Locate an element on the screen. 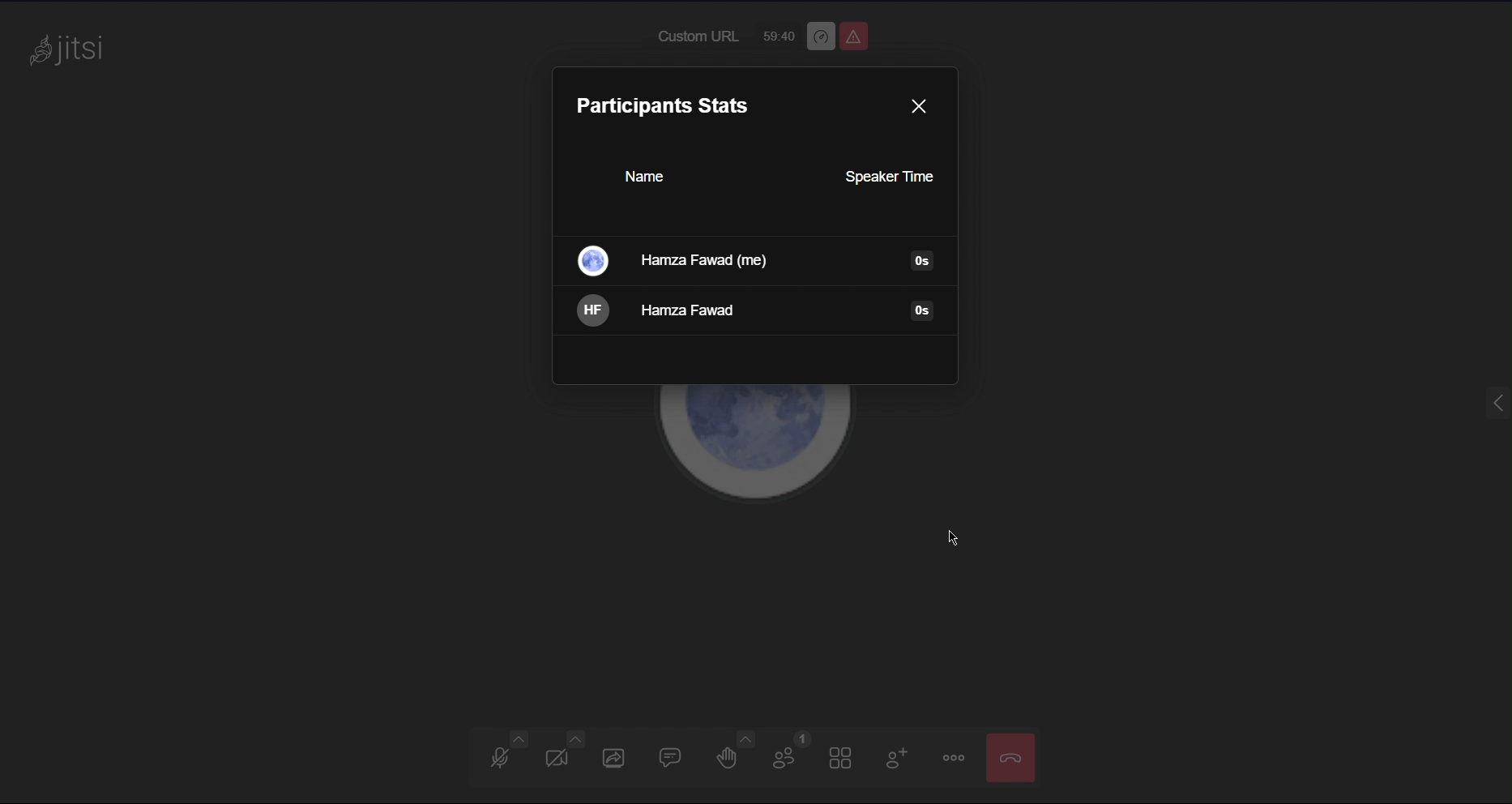  Name is located at coordinates (641, 177).